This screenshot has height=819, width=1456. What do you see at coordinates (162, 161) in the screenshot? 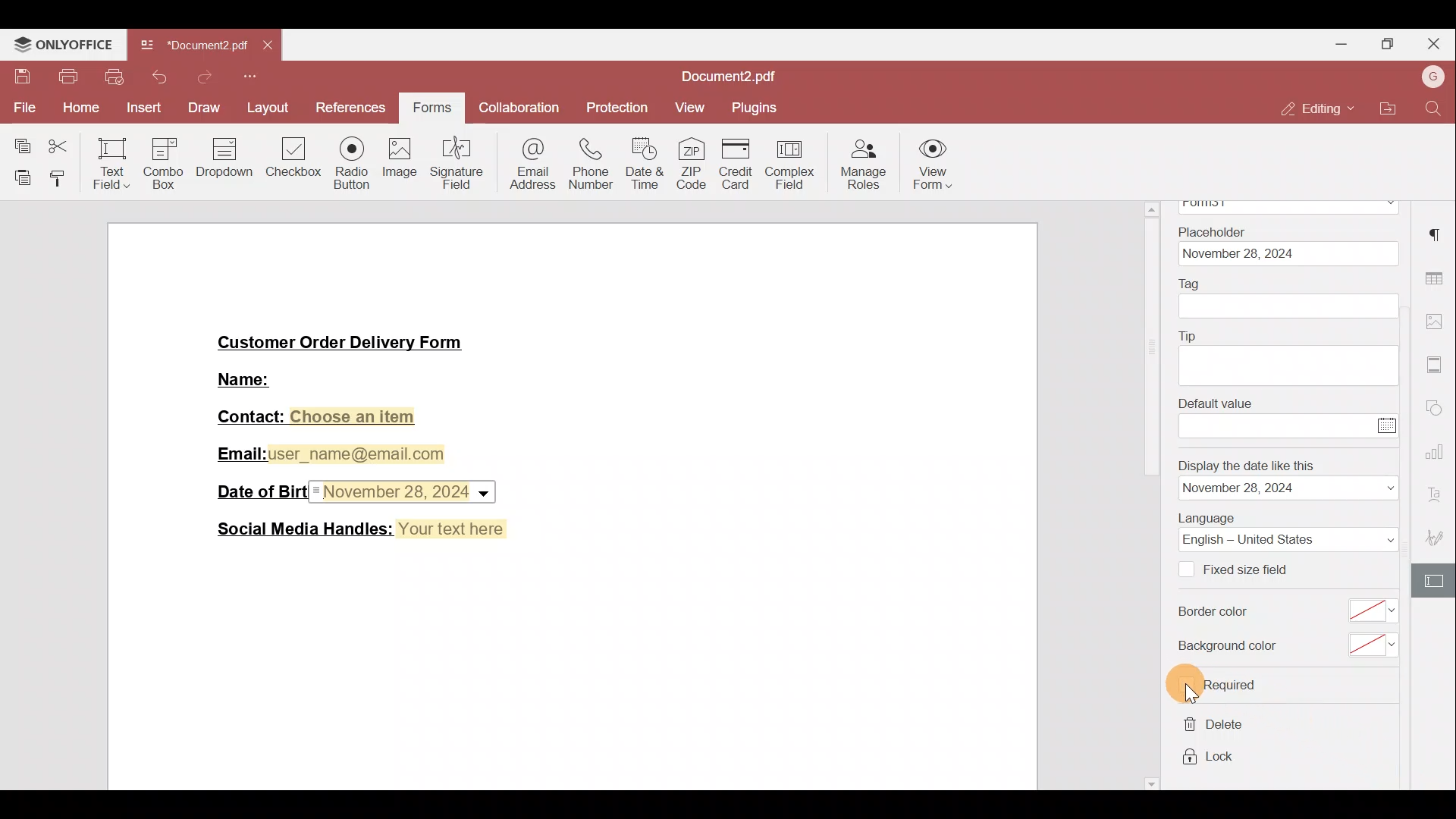
I see `Combo box` at bounding box center [162, 161].